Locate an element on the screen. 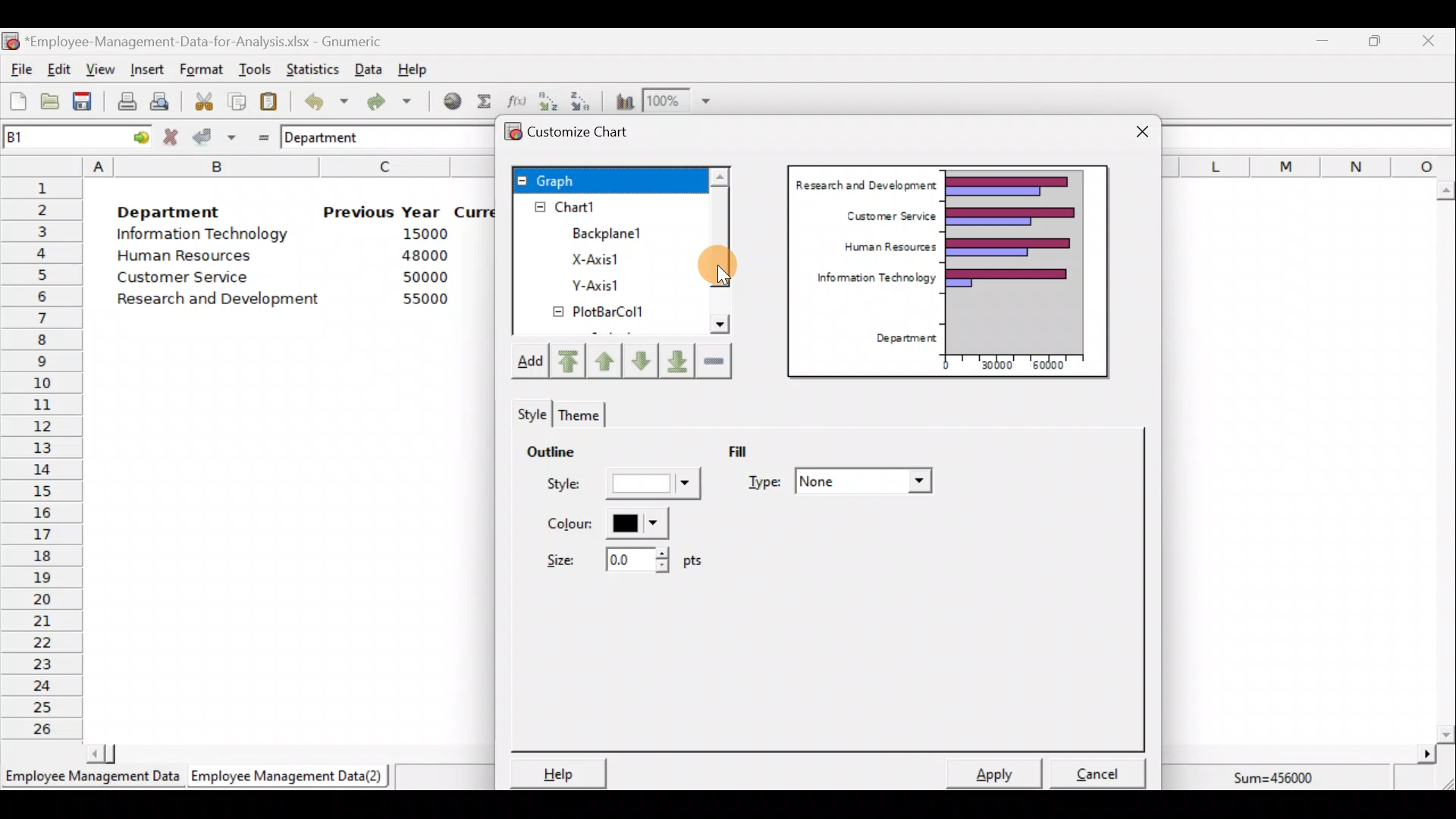  Scroll bar is located at coordinates (728, 253).